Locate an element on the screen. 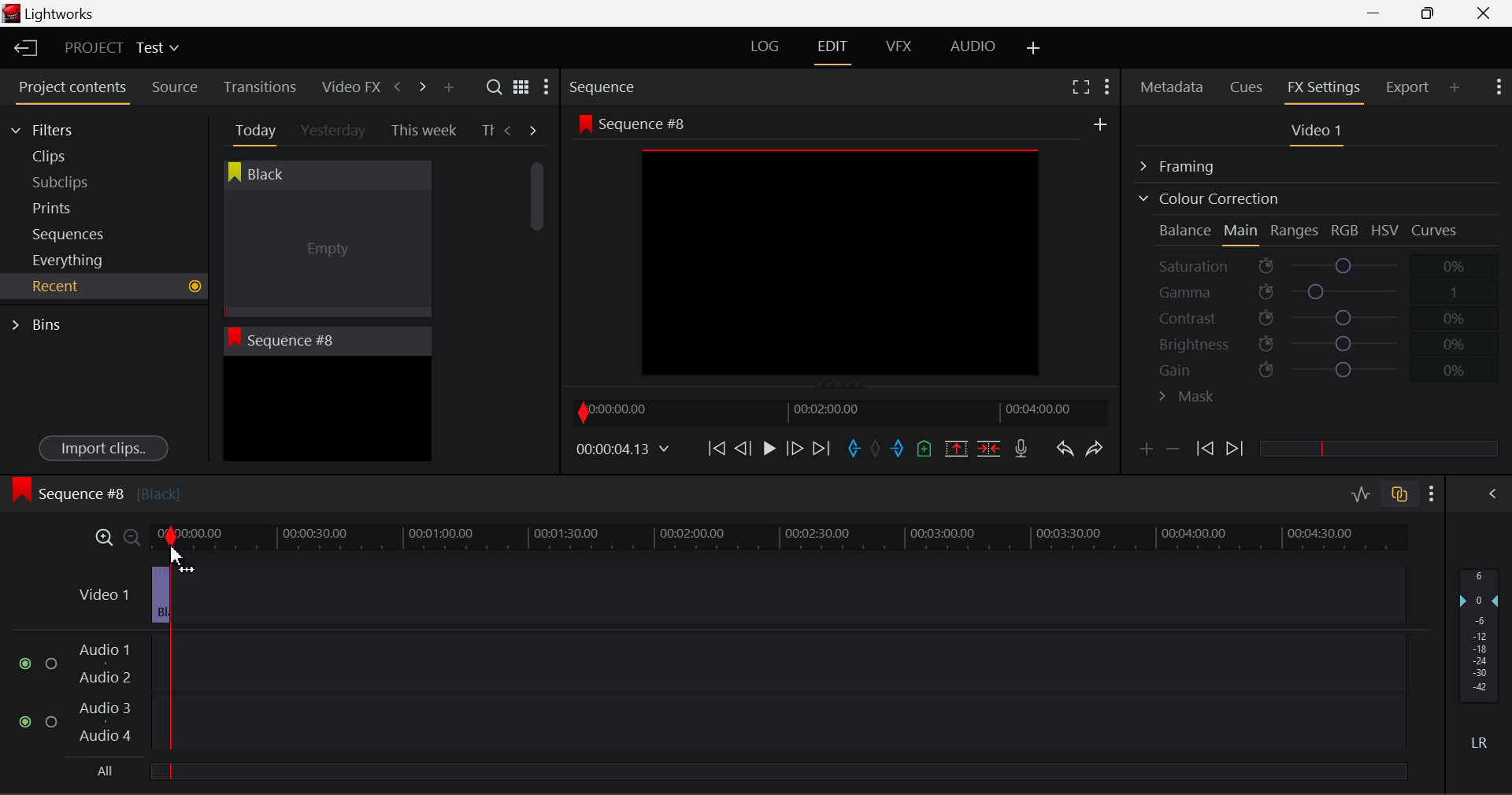 This screenshot has height=795, width=1512. LOG Layout is located at coordinates (764, 46).